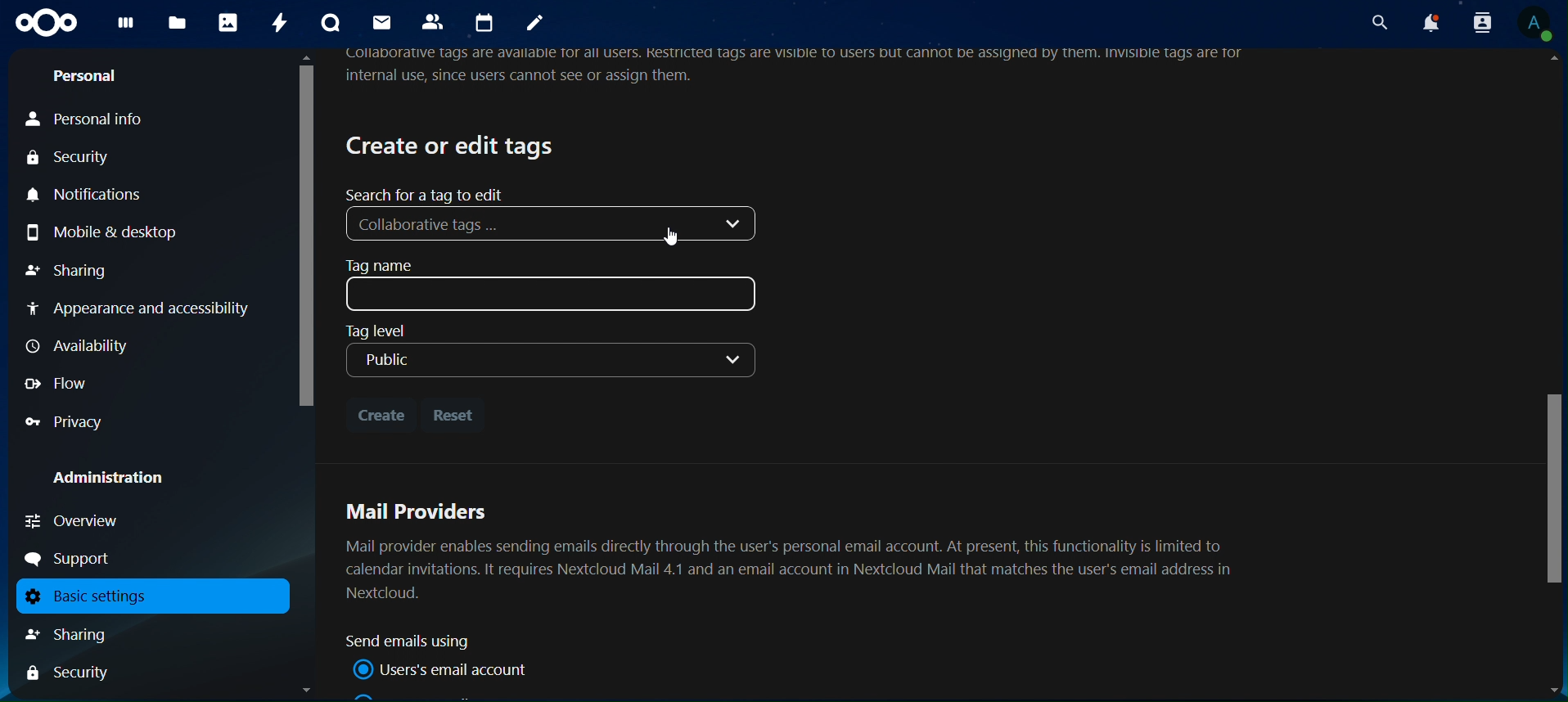  Describe the element at coordinates (1377, 22) in the screenshot. I see `search` at that location.